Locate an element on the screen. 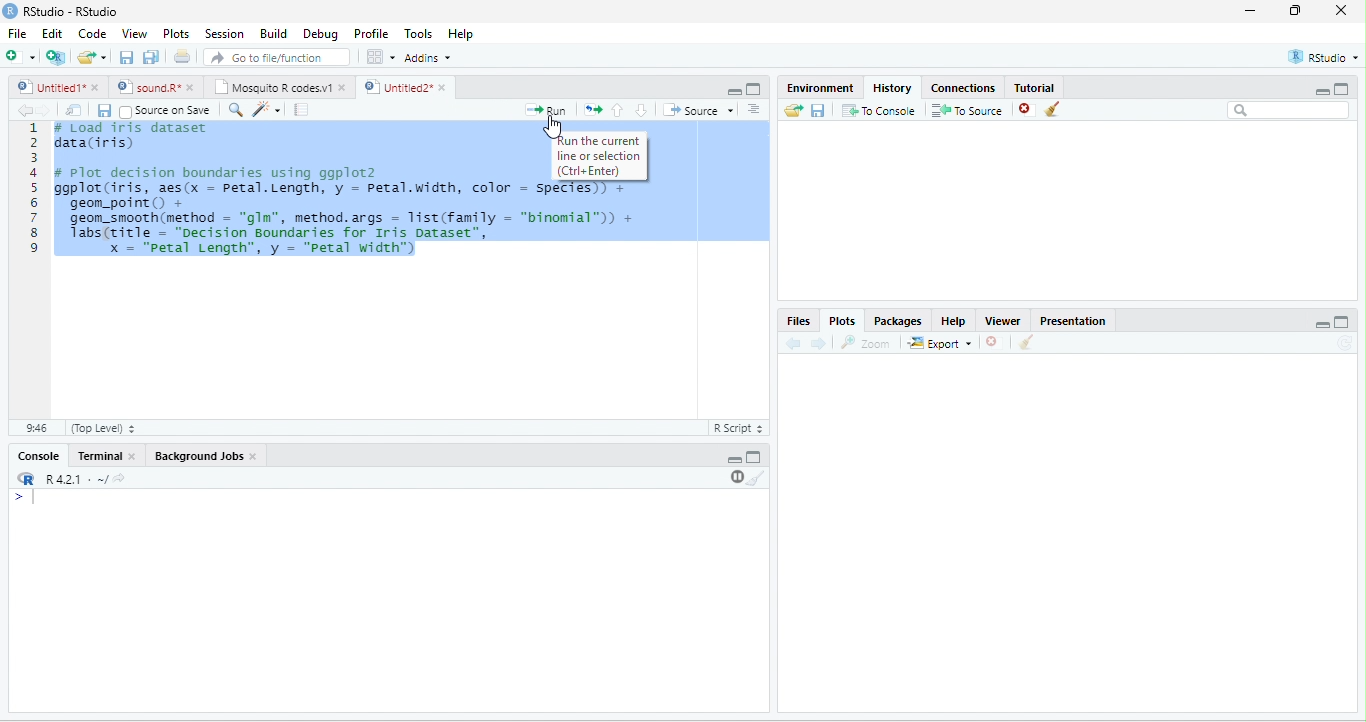  save is located at coordinates (104, 111).